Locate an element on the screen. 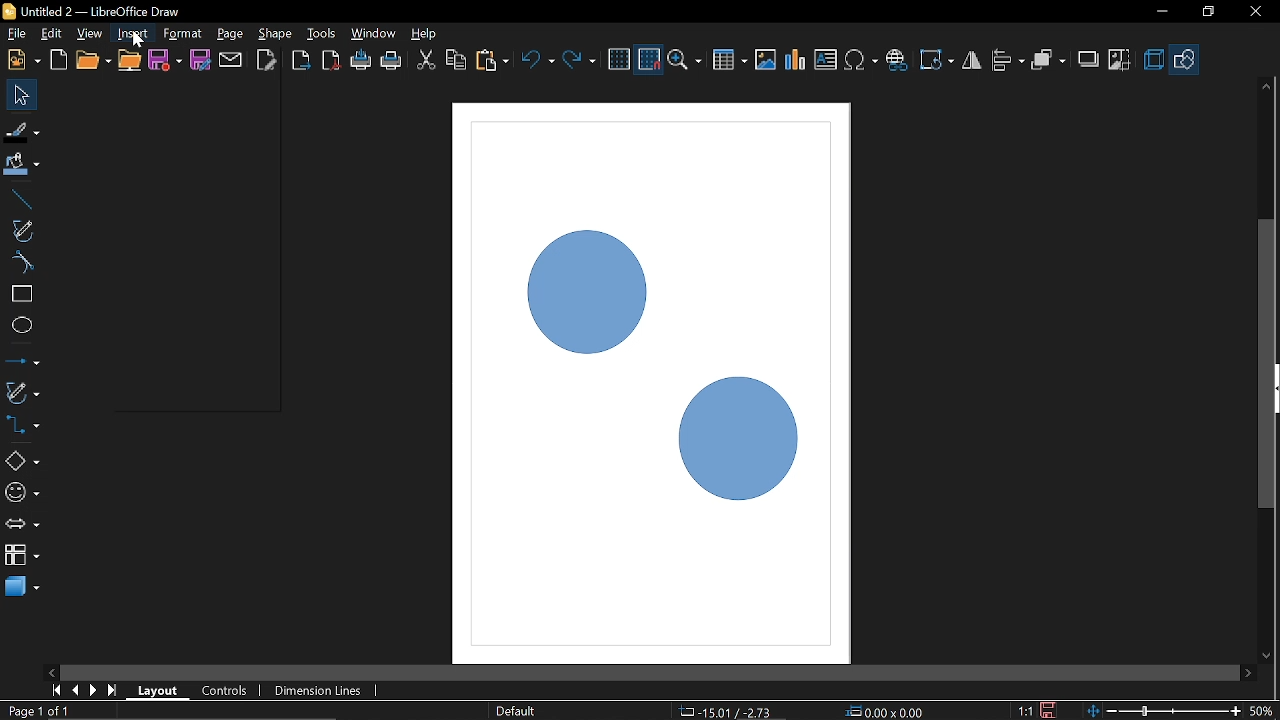 The height and width of the screenshot is (720, 1280). 3d shapes is located at coordinates (22, 585).